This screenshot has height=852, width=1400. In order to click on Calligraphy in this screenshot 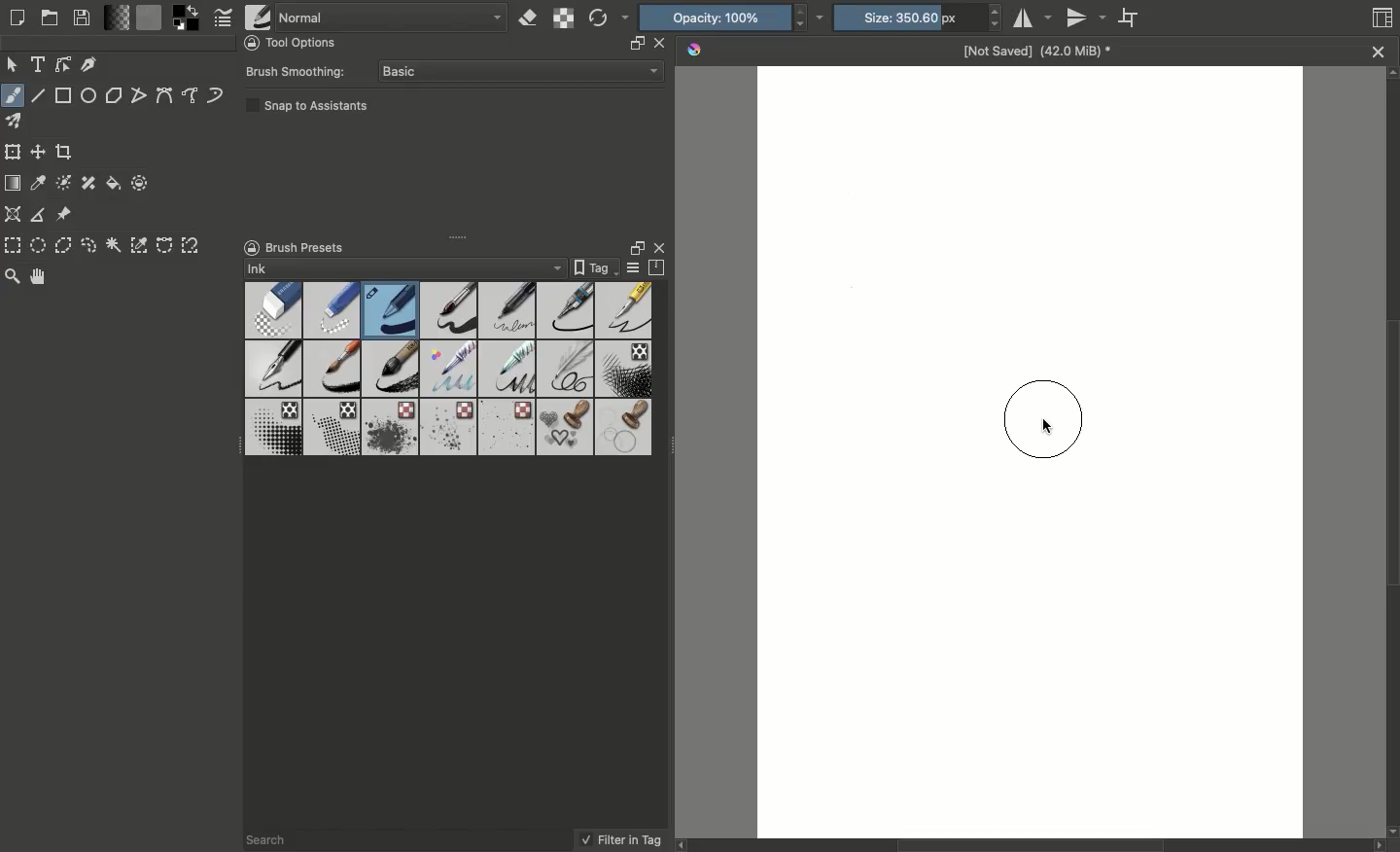, I will do `click(90, 64)`.